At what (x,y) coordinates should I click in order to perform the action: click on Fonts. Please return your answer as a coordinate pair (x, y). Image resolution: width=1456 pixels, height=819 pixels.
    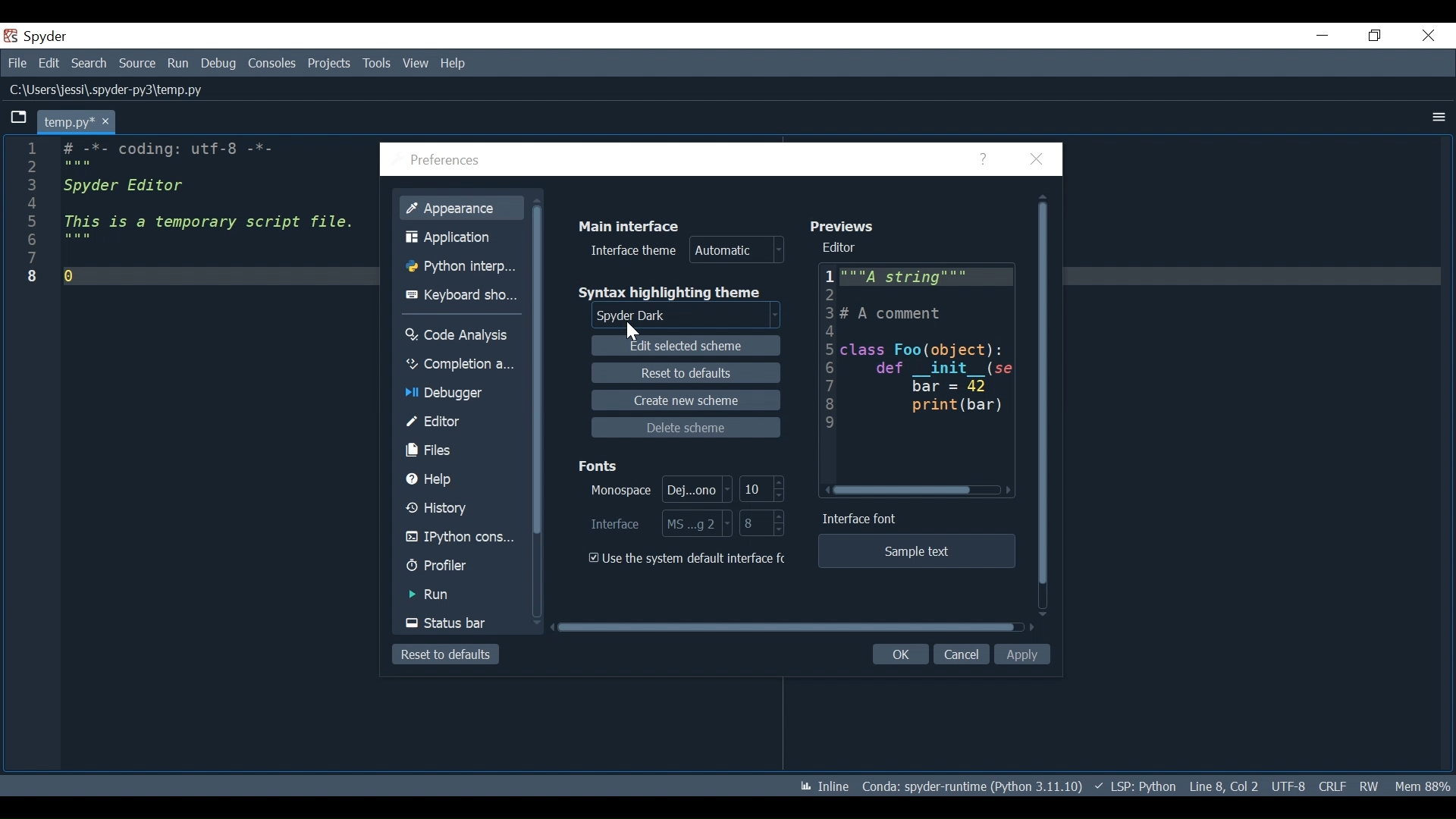
    Looking at the image, I should click on (599, 466).